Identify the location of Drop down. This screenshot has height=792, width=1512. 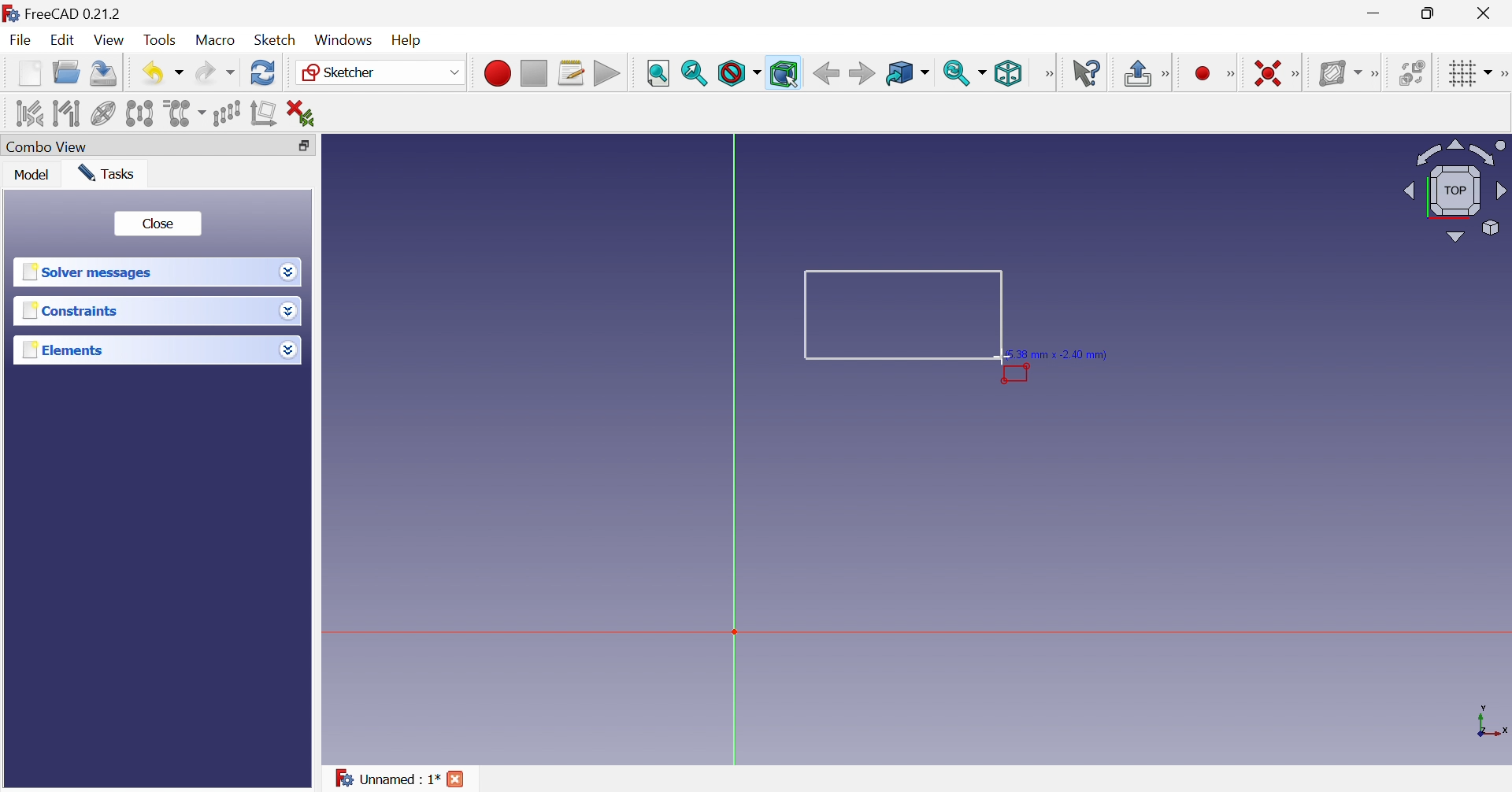
(289, 351).